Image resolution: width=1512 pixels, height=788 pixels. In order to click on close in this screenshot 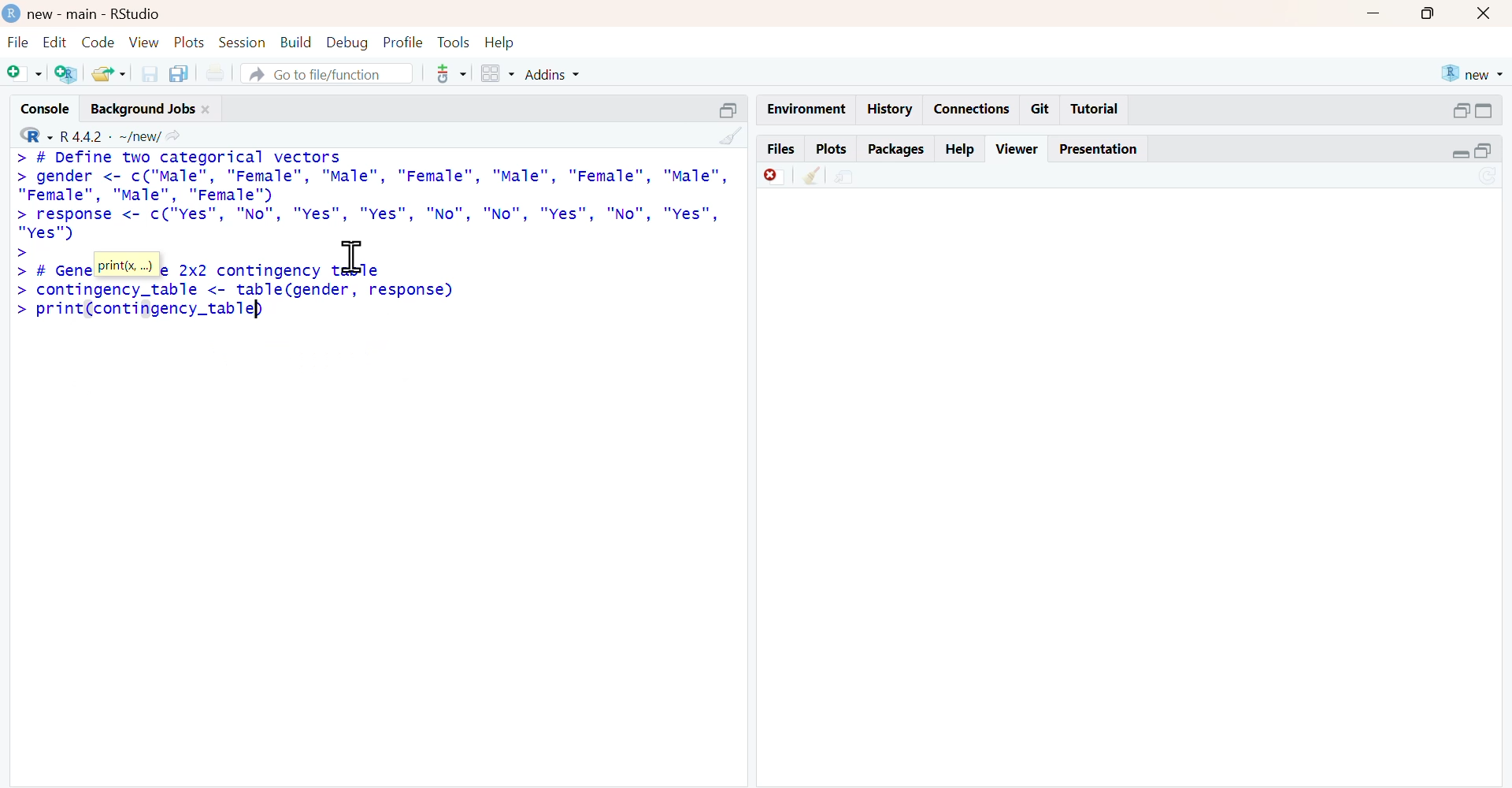, I will do `click(1484, 14)`.